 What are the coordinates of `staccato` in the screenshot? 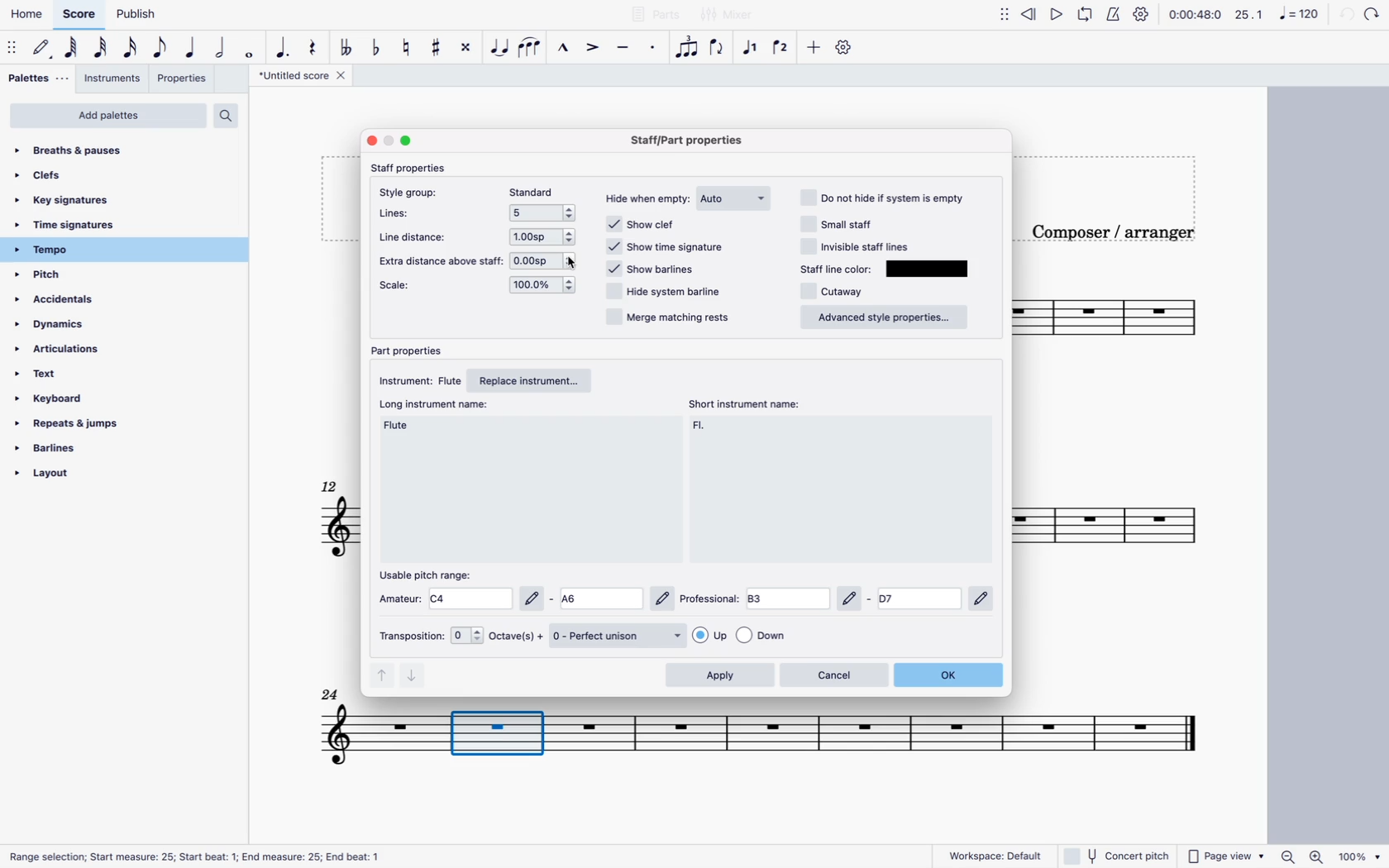 It's located at (656, 50).